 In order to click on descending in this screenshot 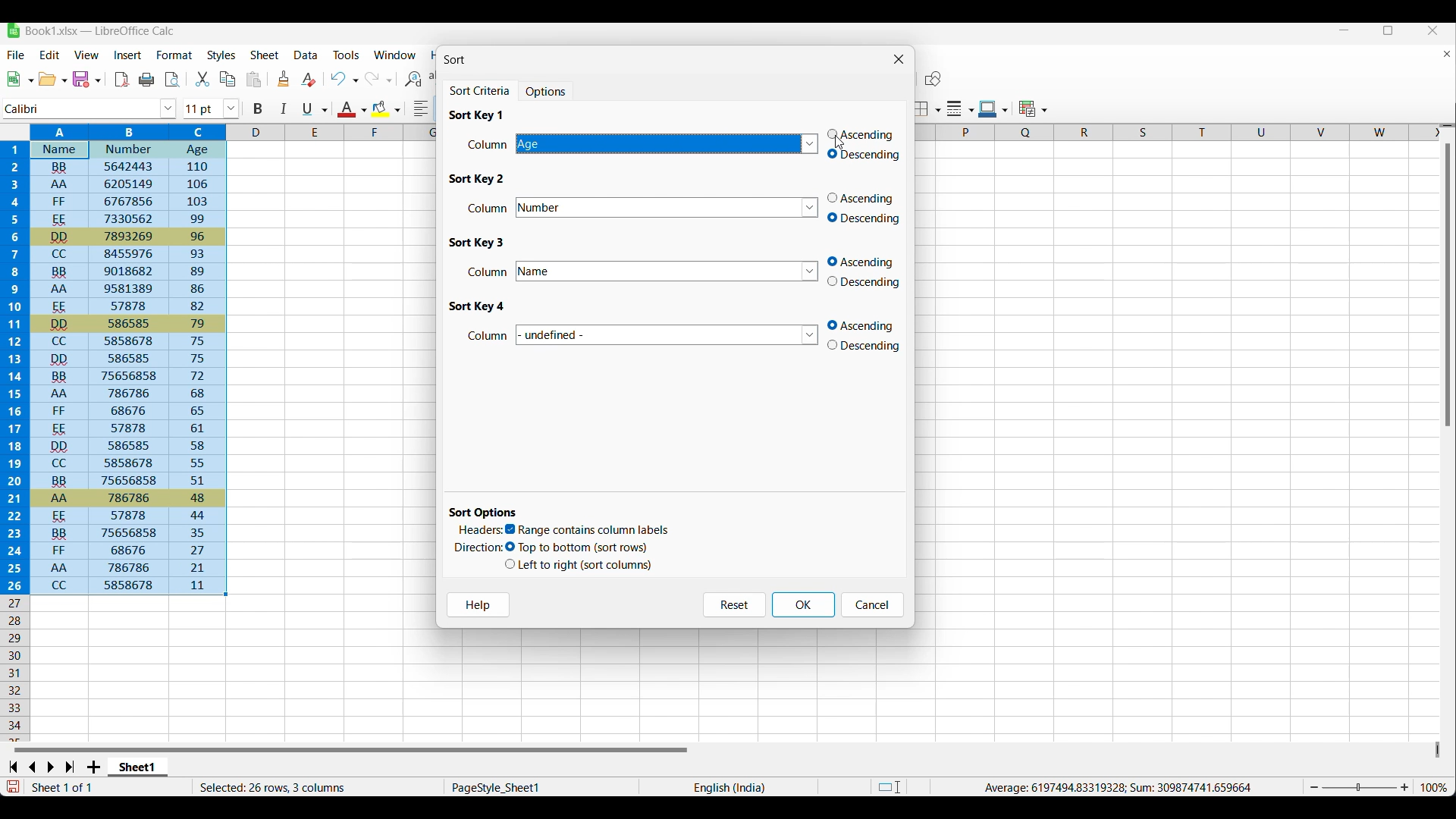, I will do `click(865, 219)`.